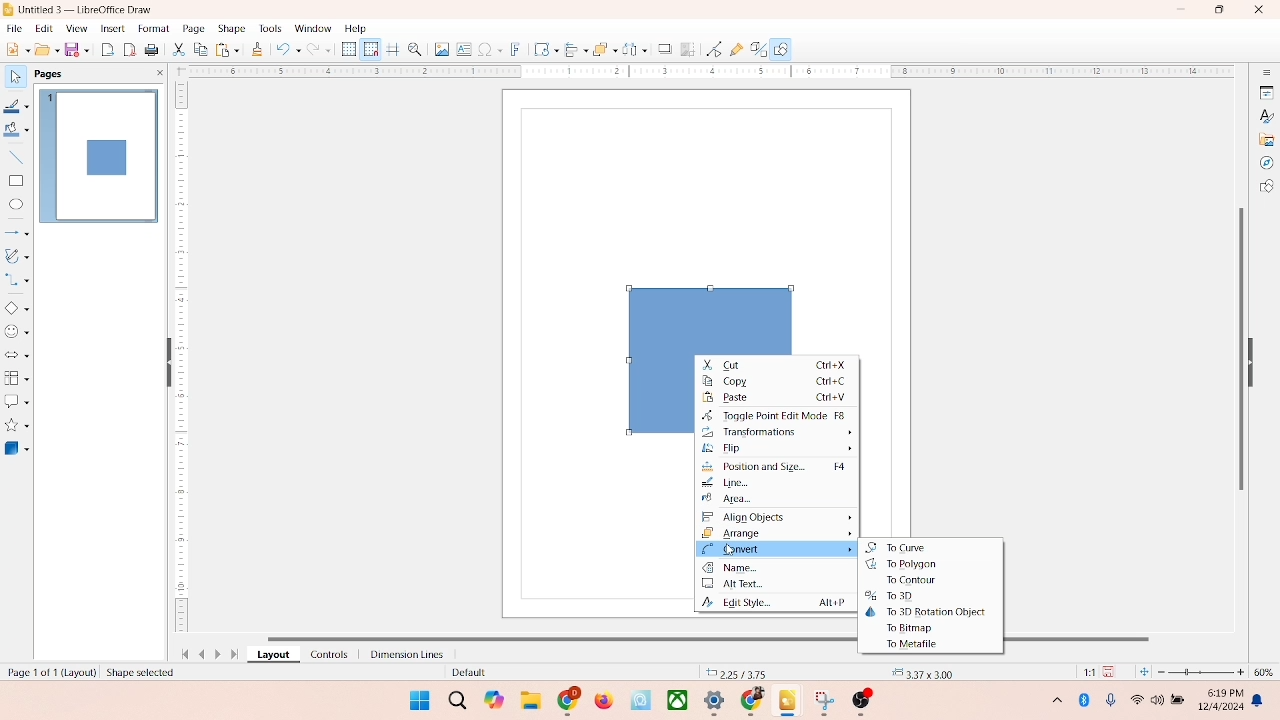 The width and height of the screenshot is (1280, 720). Describe the element at coordinates (1219, 697) in the screenshot. I see `time and date` at that location.